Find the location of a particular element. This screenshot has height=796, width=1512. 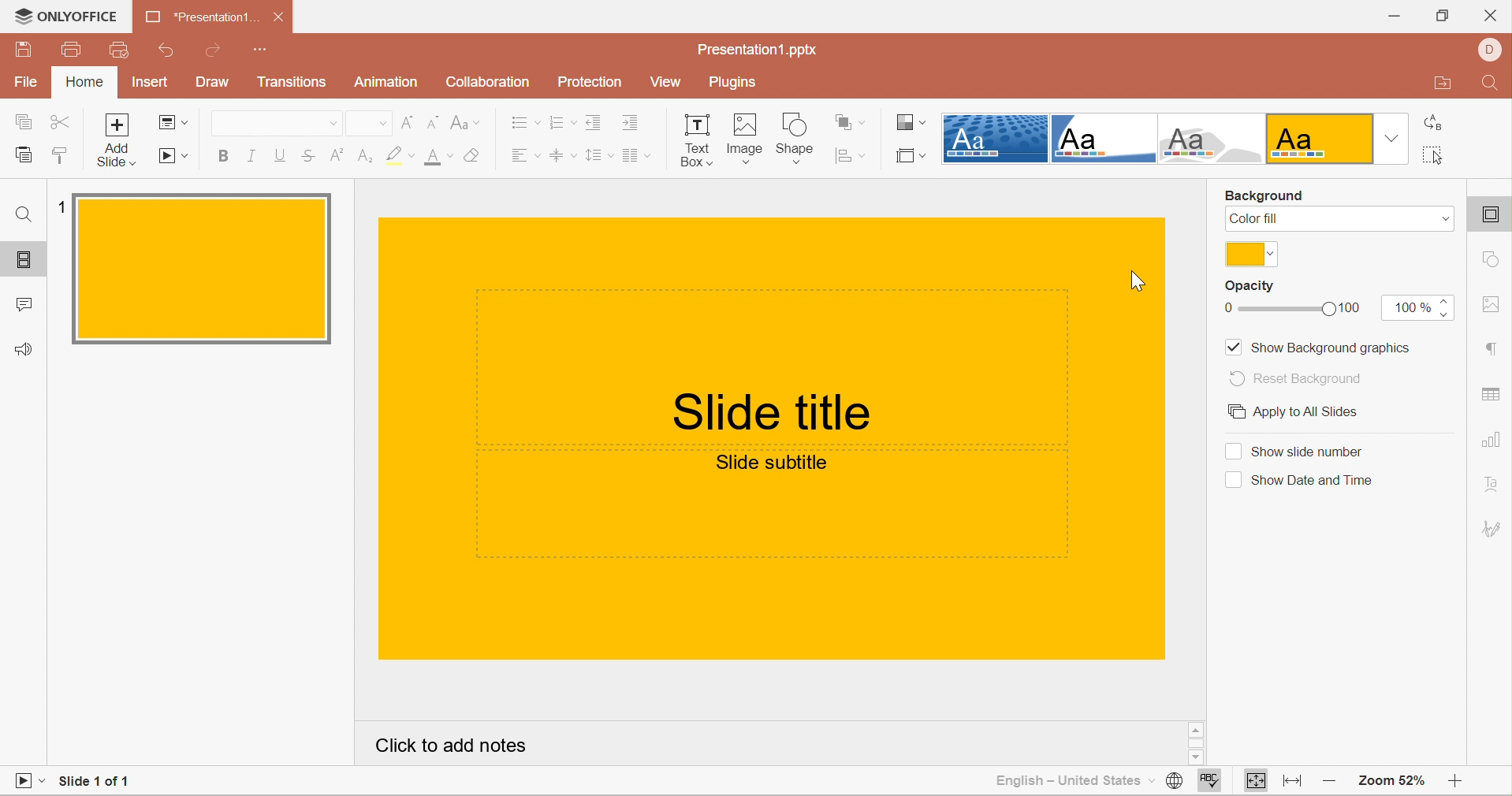

Close is located at coordinates (280, 17).